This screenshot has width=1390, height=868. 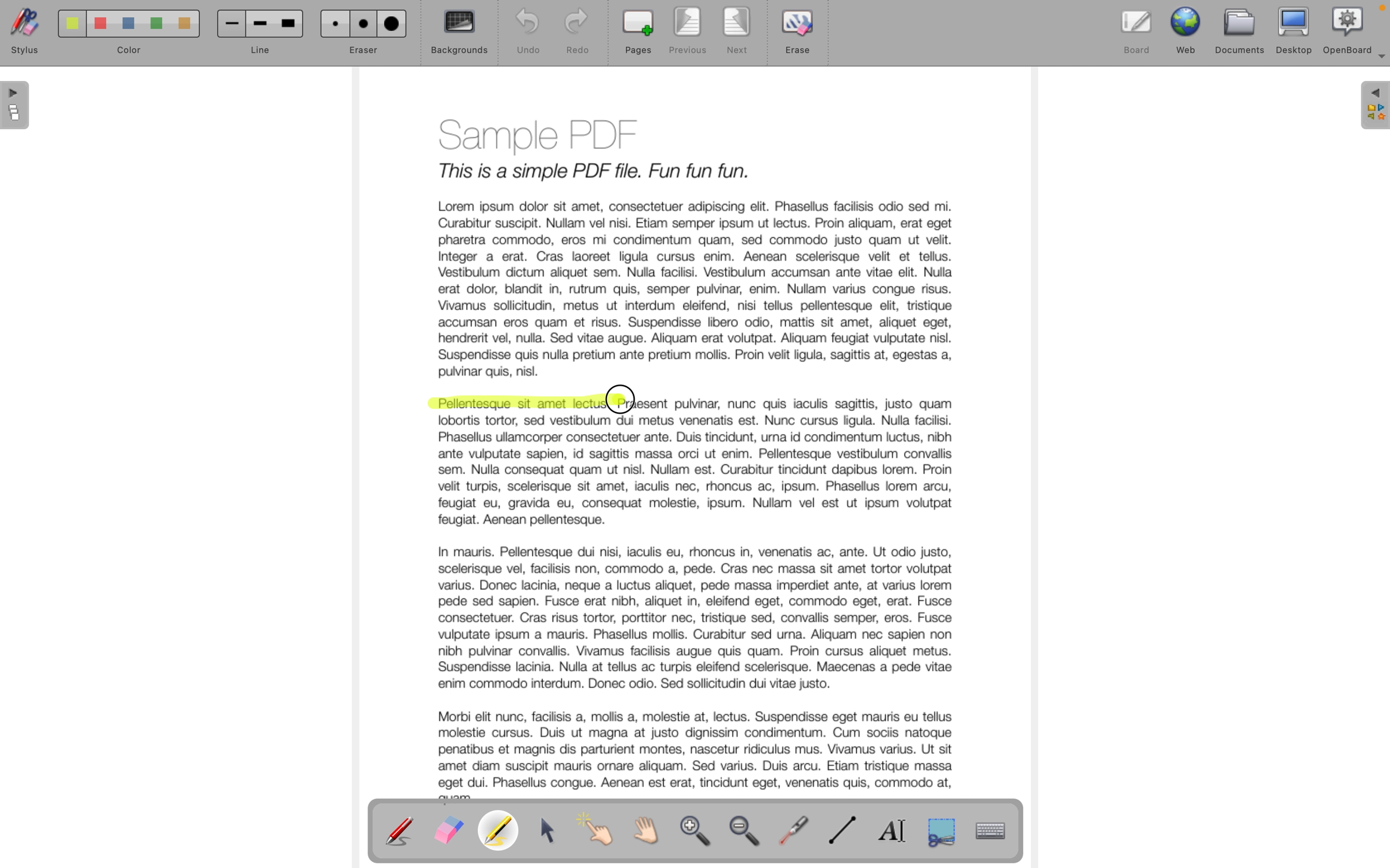 I want to click on color, so click(x=123, y=36).